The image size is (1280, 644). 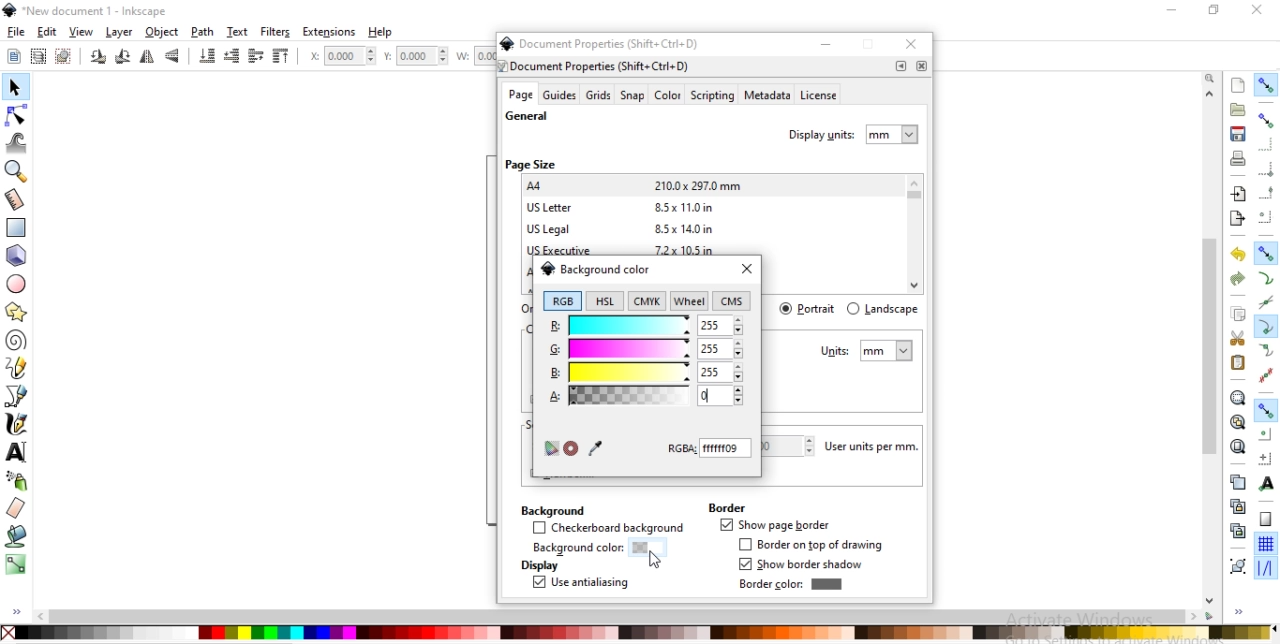 What do you see at coordinates (603, 301) in the screenshot?
I see `hsl` at bounding box center [603, 301].